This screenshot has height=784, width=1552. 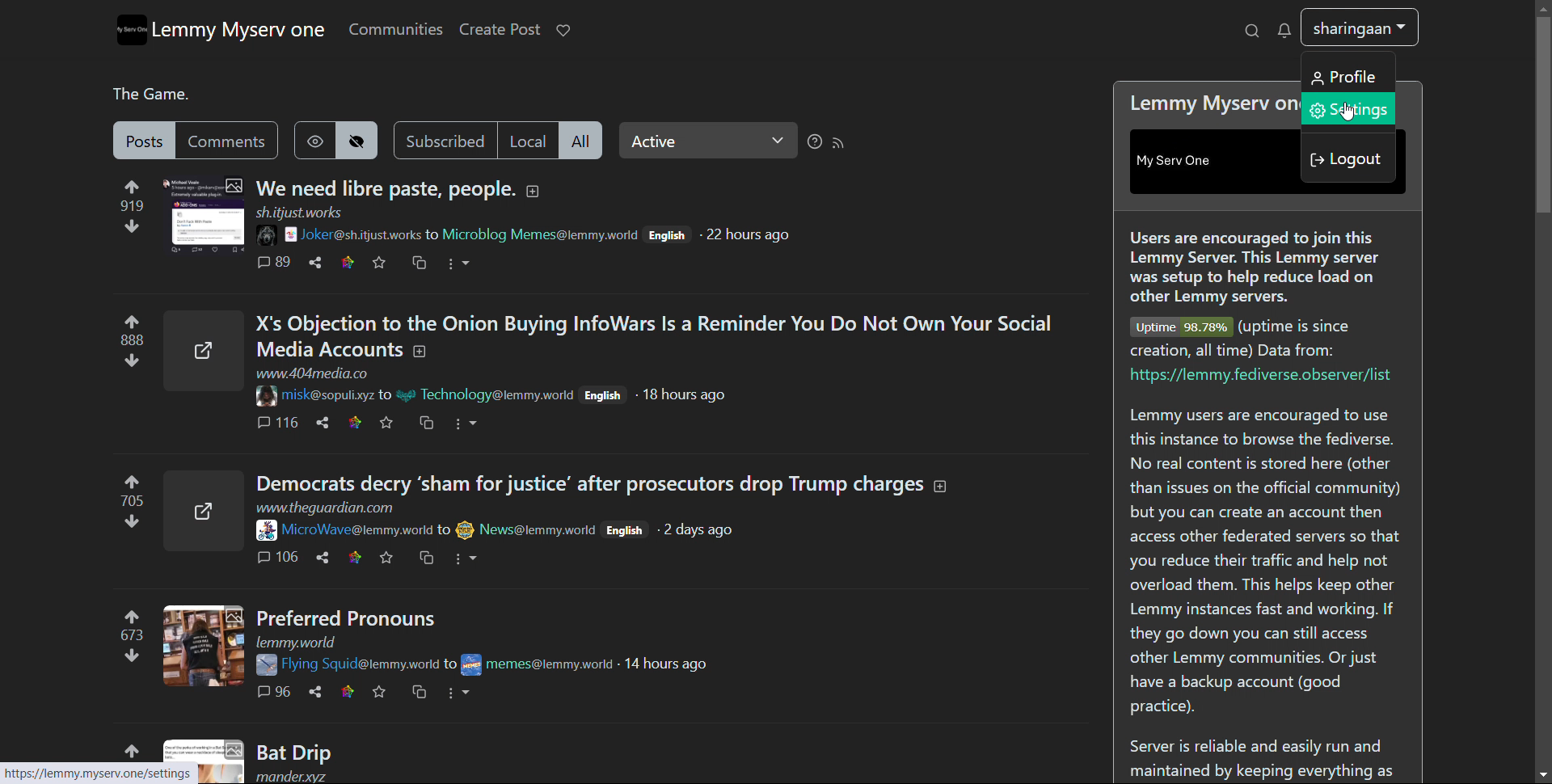 I want to click on communities, so click(x=395, y=30).